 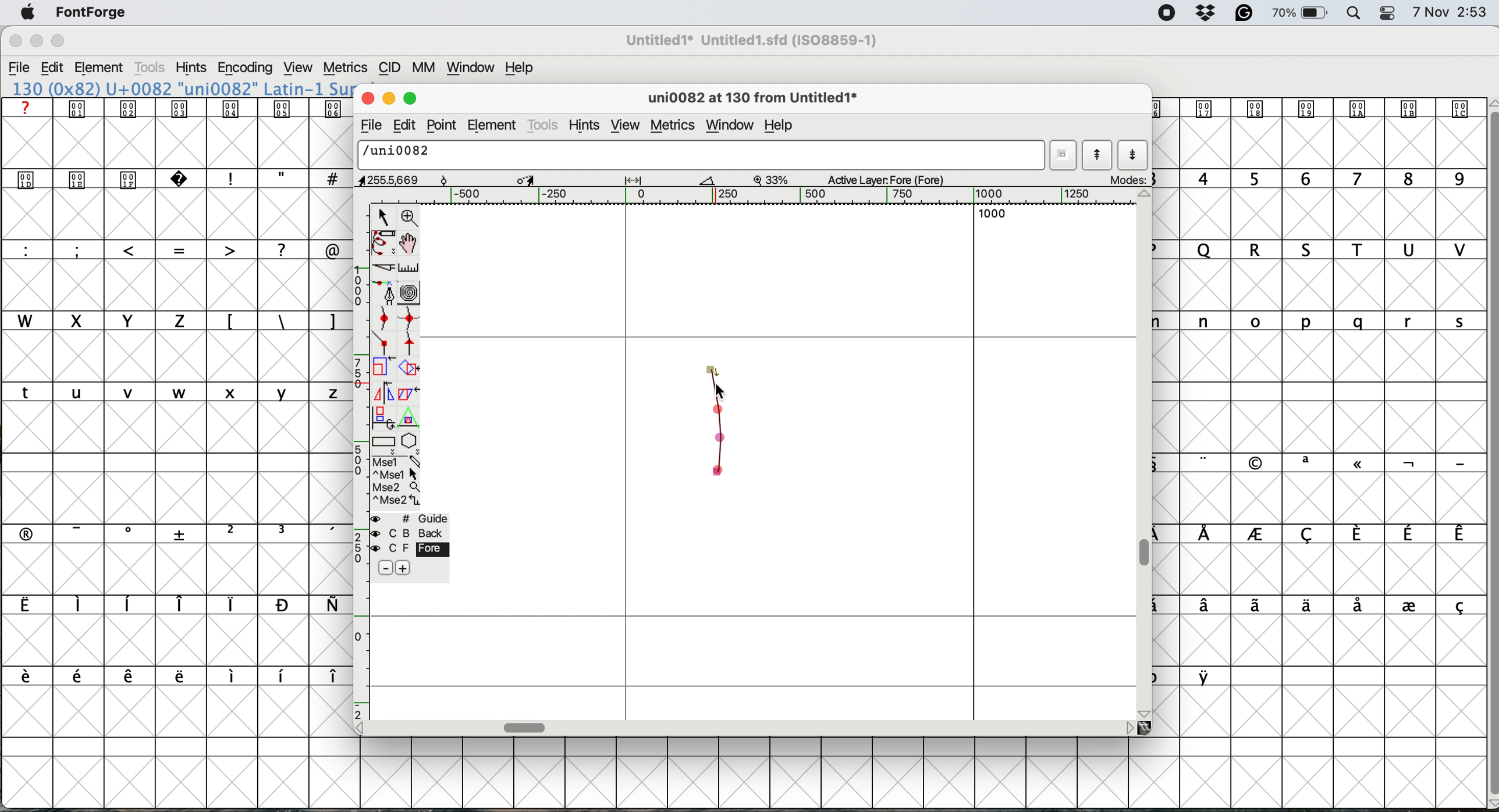 I want to click on active layers, so click(x=887, y=181).